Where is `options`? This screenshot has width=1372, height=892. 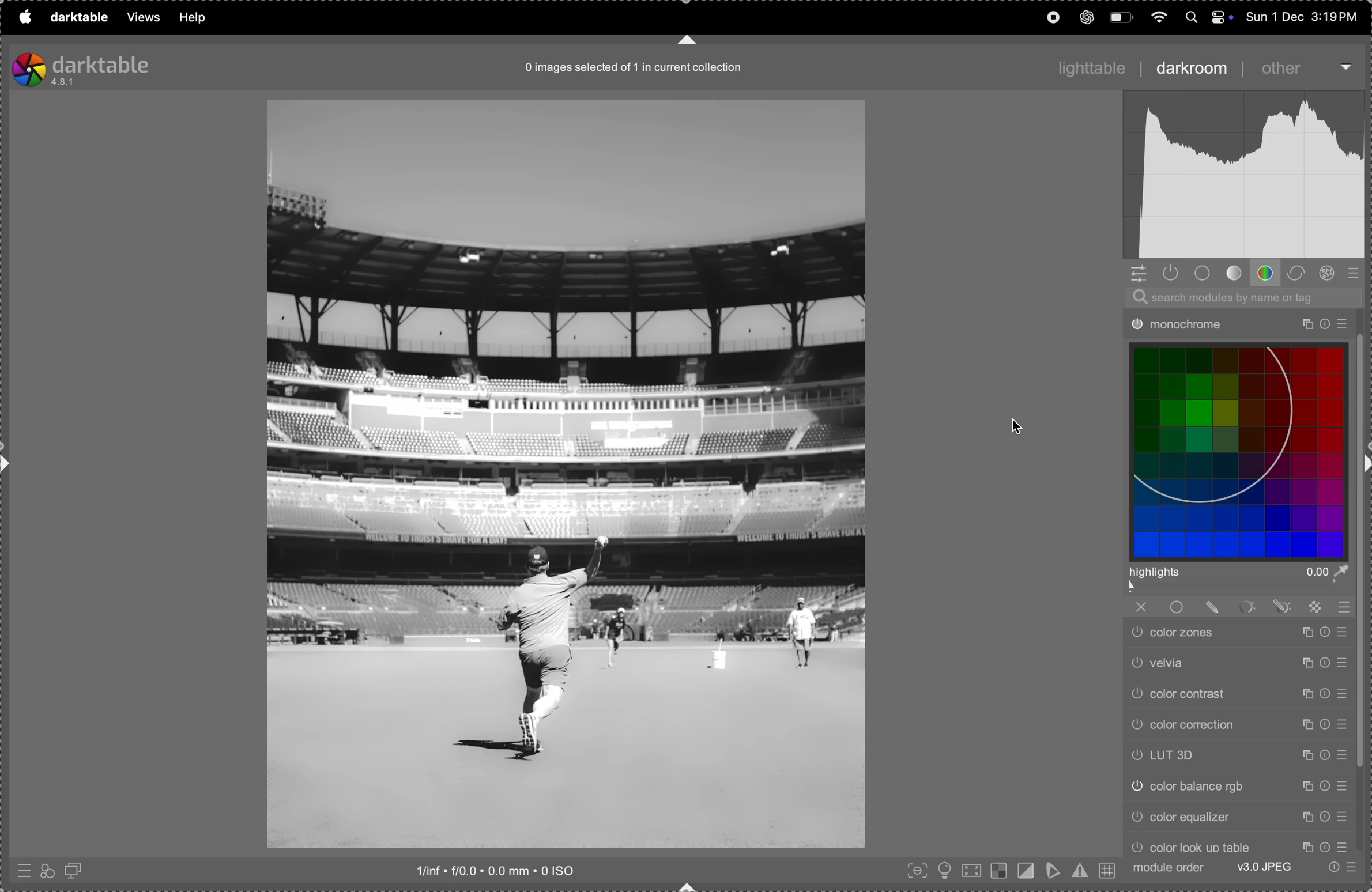
options is located at coordinates (1342, 866).